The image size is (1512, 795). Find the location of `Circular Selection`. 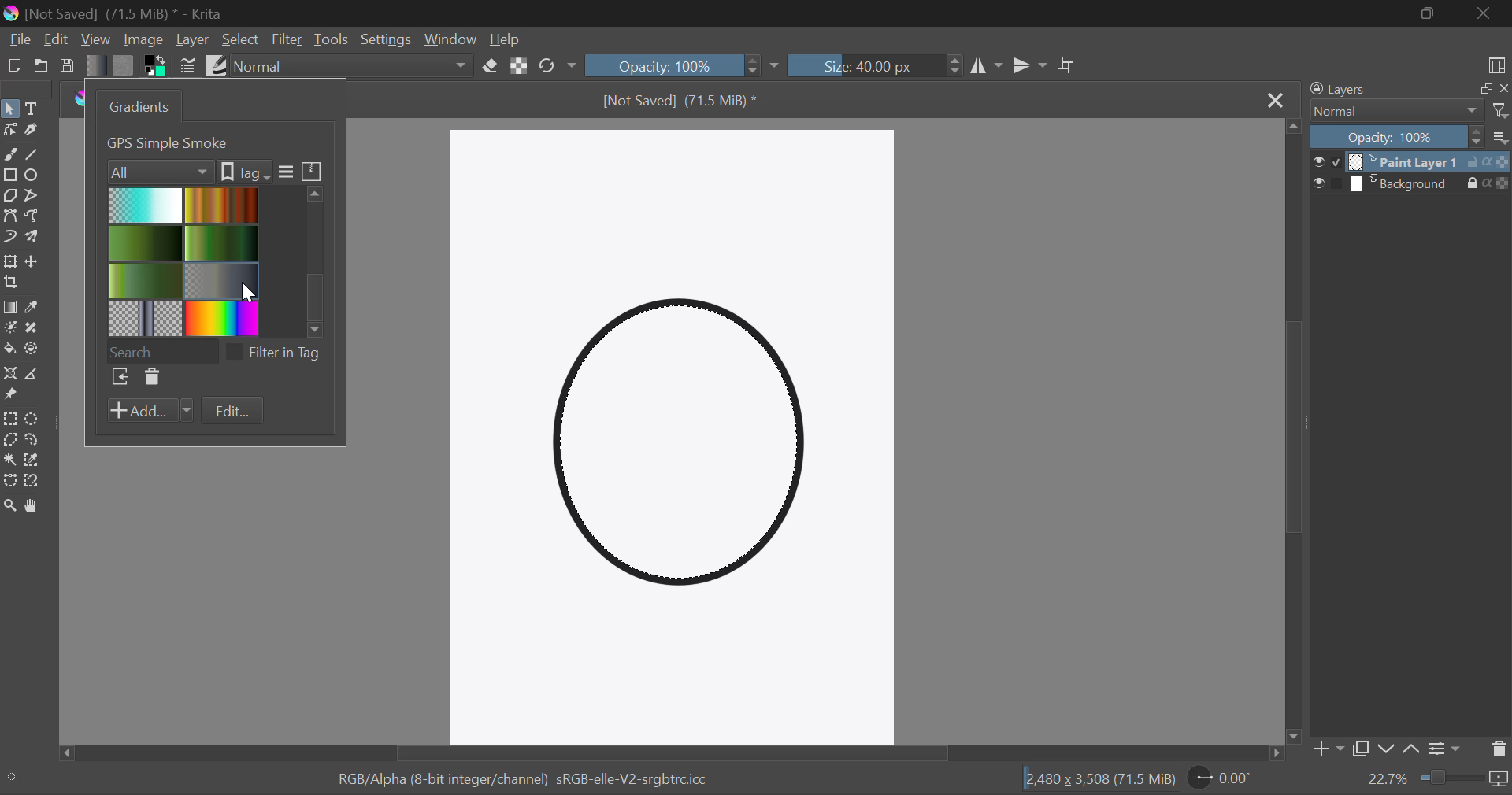

Circular Selection is located at coordinates (35, 417).